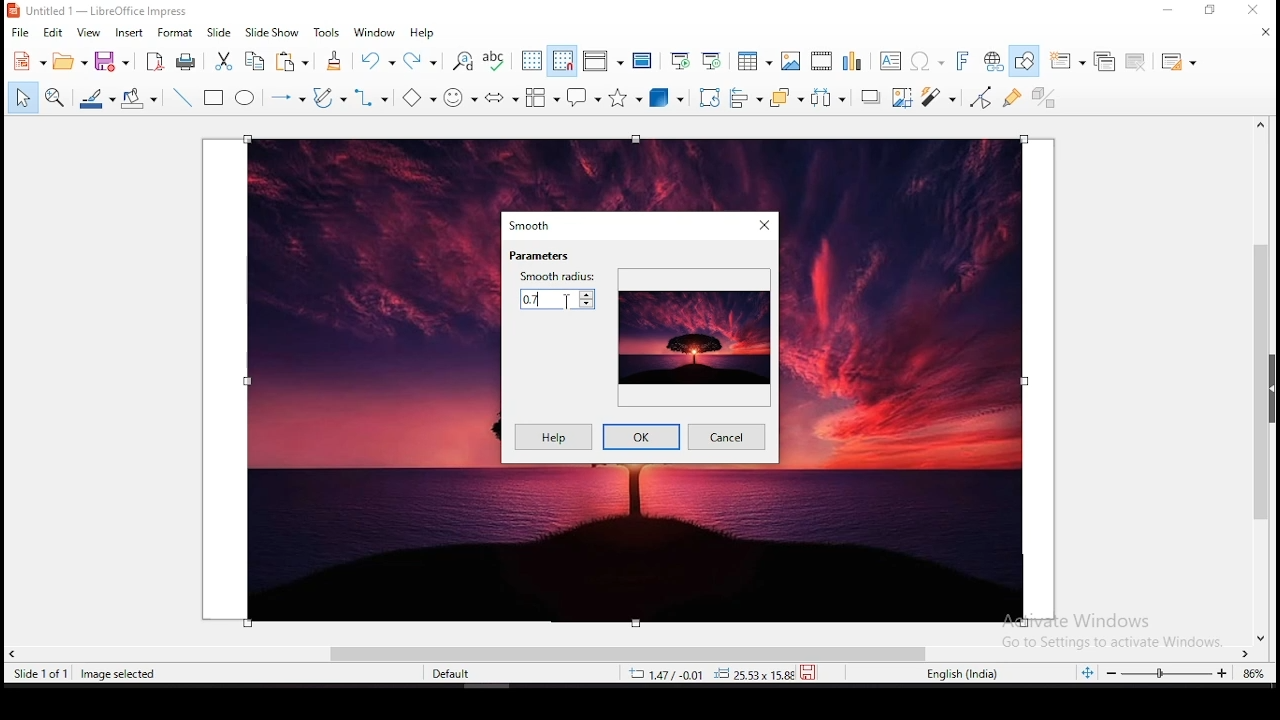 This screenshot has height=720, width=1280. What do you see at coordinates (785, 98) in the screenshot?
I see `arrange` at bounding box center [785, 98].